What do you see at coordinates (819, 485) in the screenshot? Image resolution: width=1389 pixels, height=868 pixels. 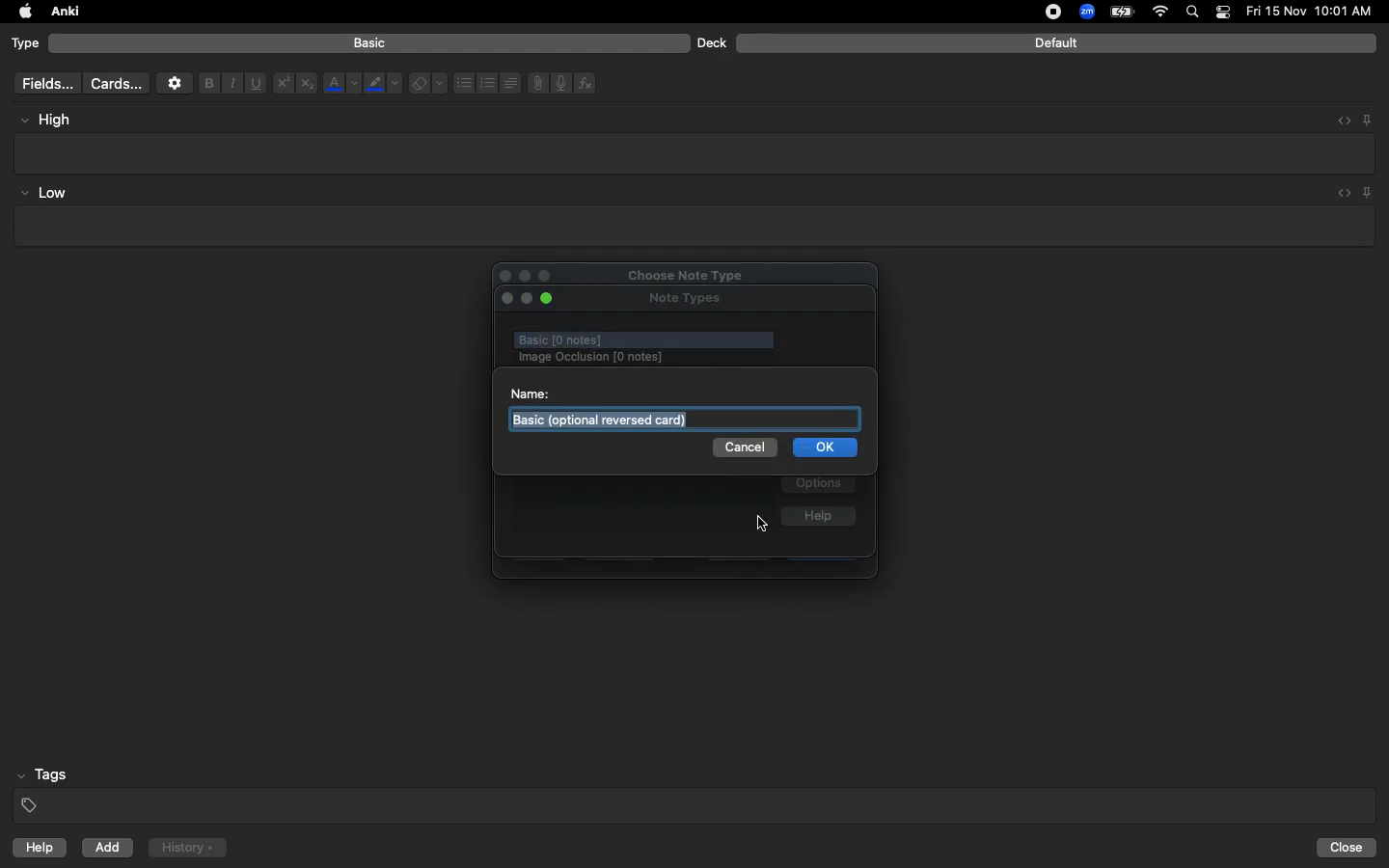 I see `options` at bounding box center [819, 485].